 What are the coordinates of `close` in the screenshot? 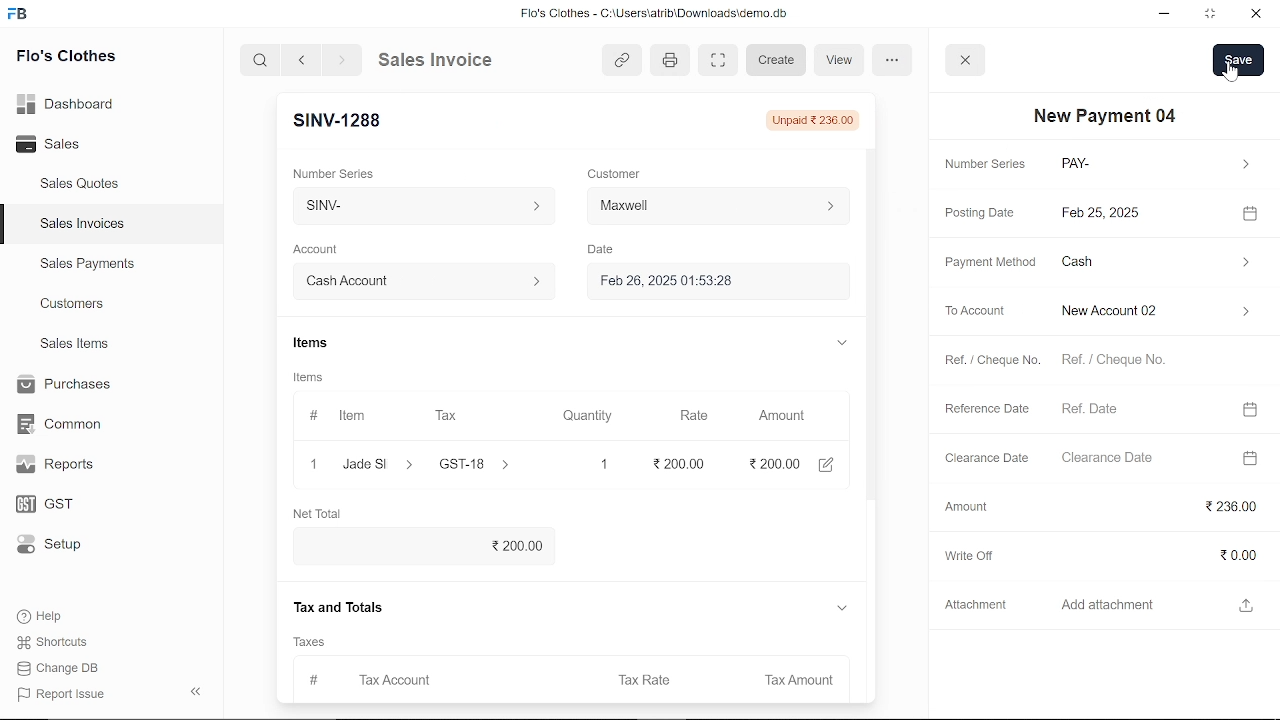 It's located at (966, 59).